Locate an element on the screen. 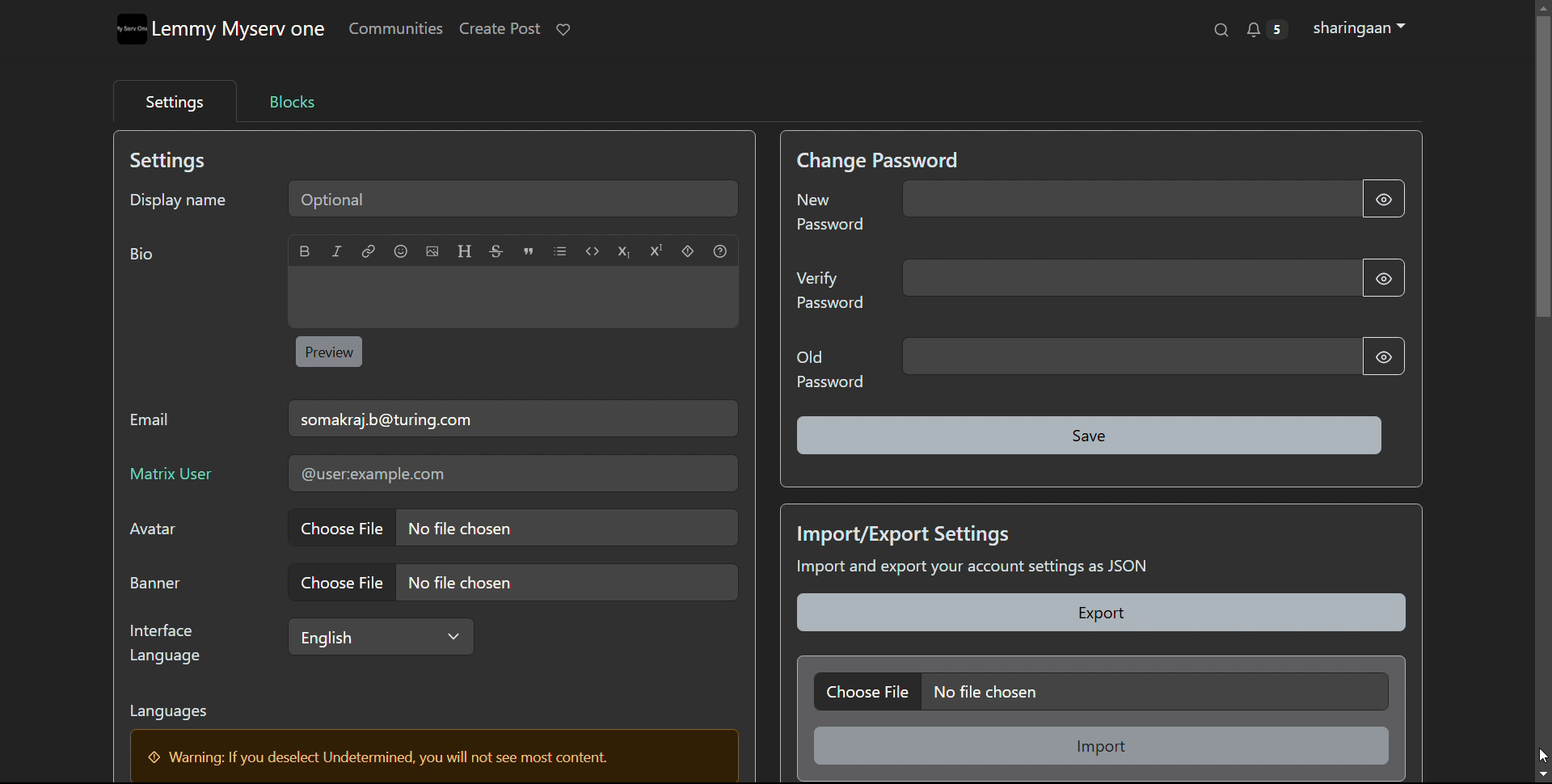 The image size is (1552, 784). choose file to import is located at coordinates (1101, 691).